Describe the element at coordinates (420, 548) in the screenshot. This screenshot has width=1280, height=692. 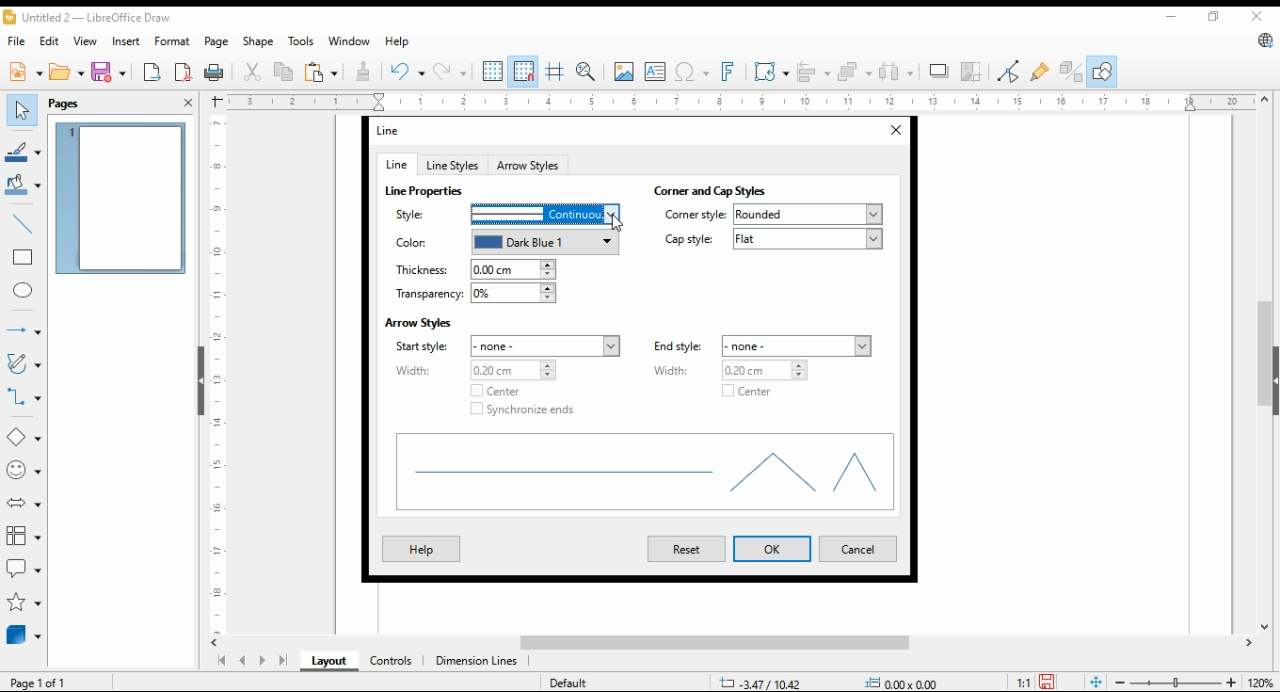
I see `help` at that location.